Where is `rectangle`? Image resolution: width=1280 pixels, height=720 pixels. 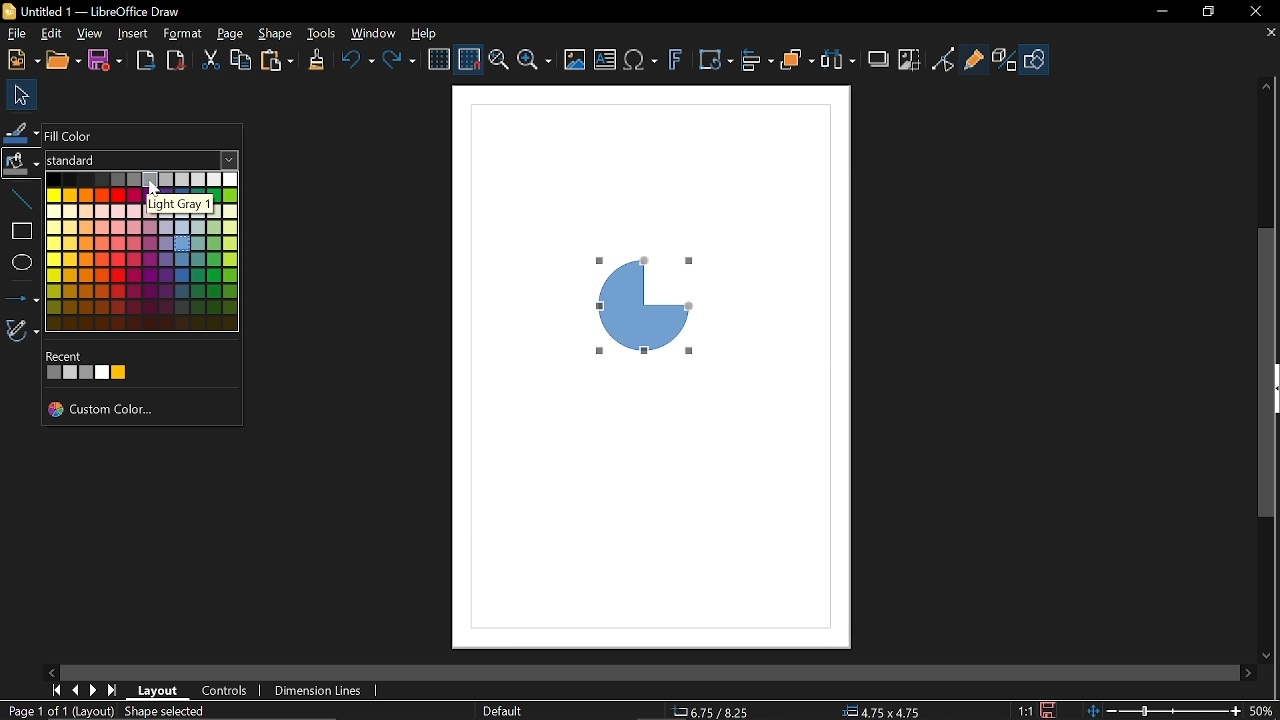
rectangle is located at coordinates (18, 232).